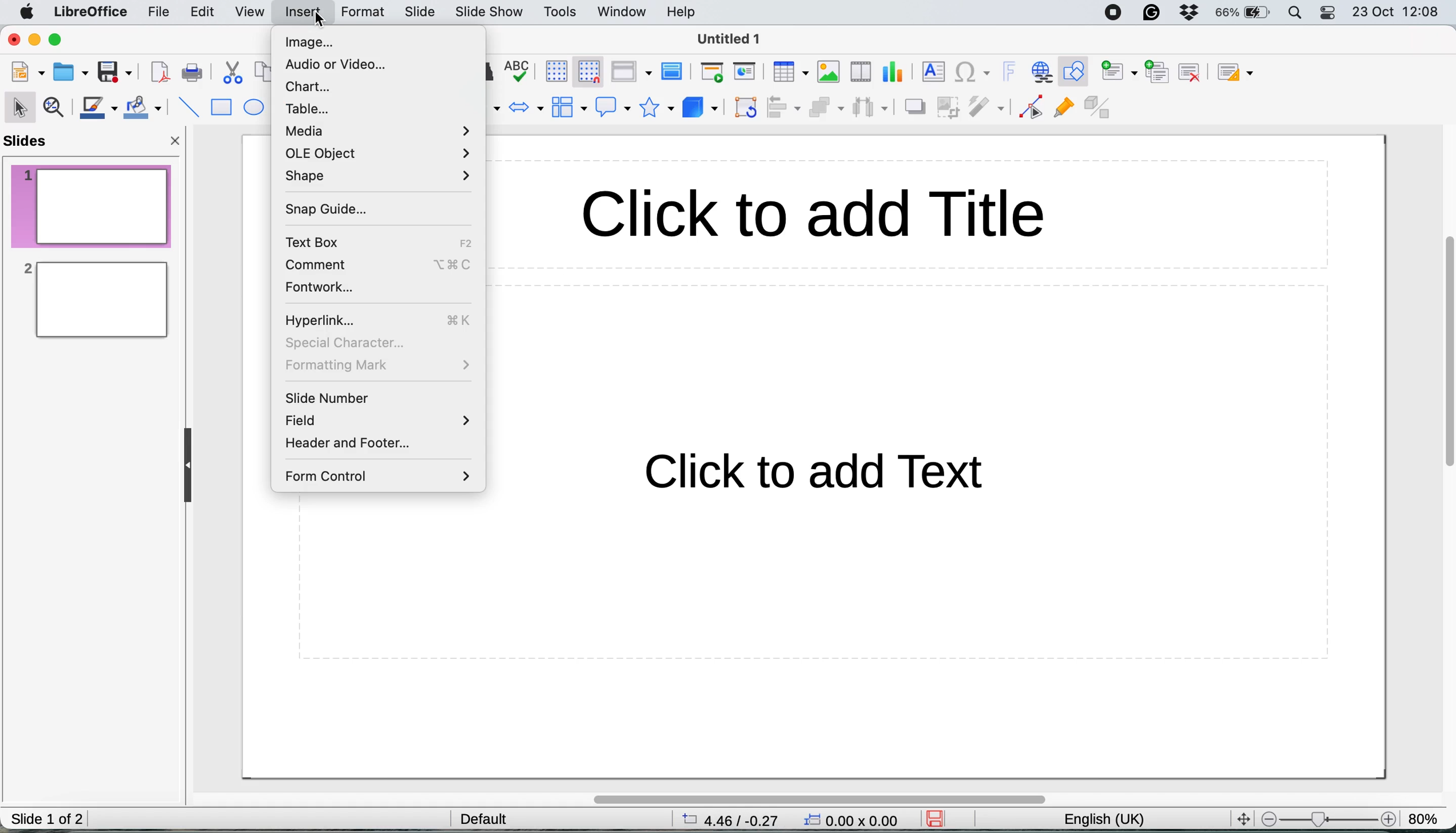 The width and height of the screenshot is (1456, 833). I want to click on insert, so click(301, 11).